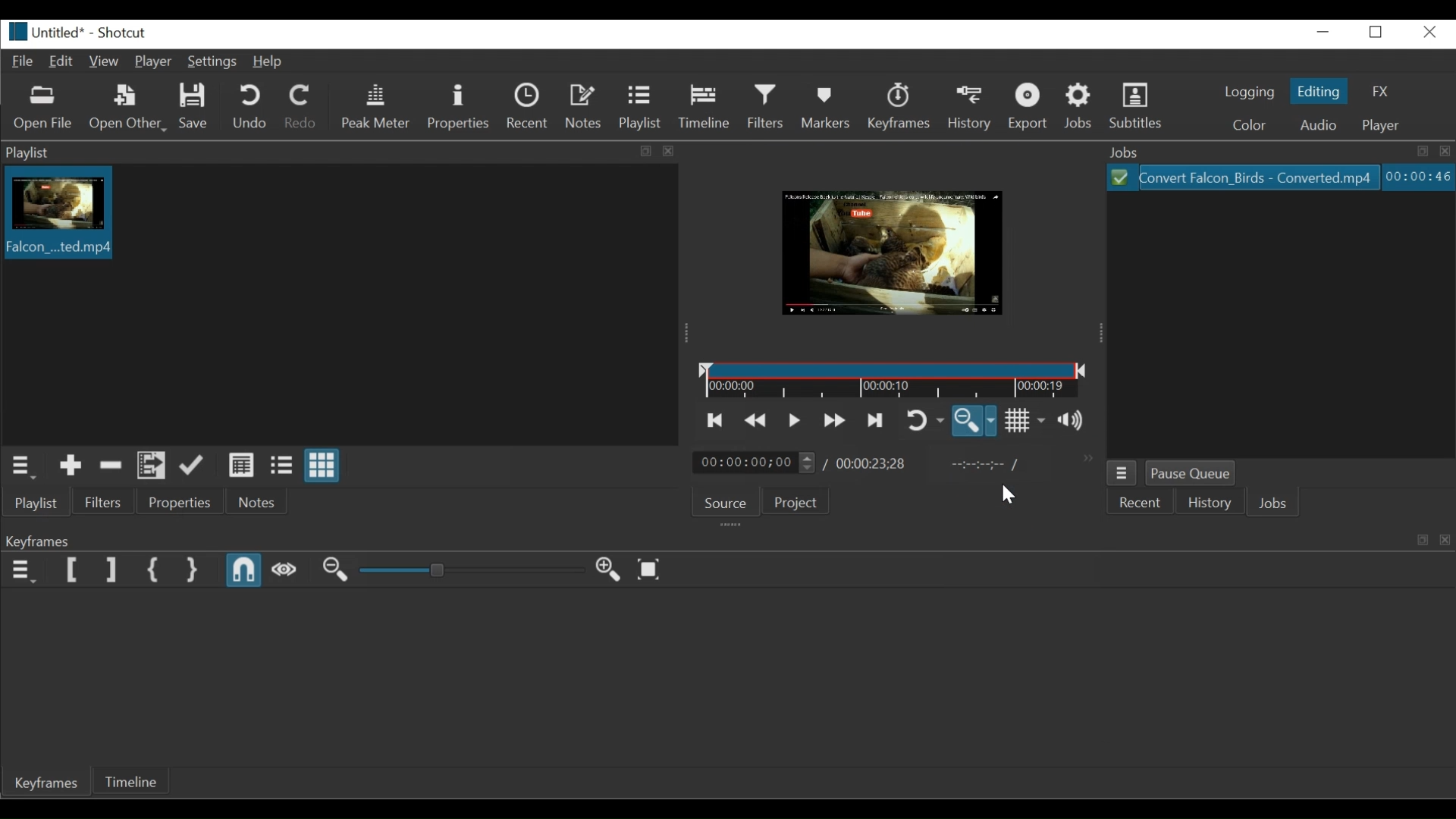 The height and width of the screenshot is (819, 1456). What do you see at coordinates (725, 503) in the screenshot?
I see `Source` at bounding box center [725, 503].